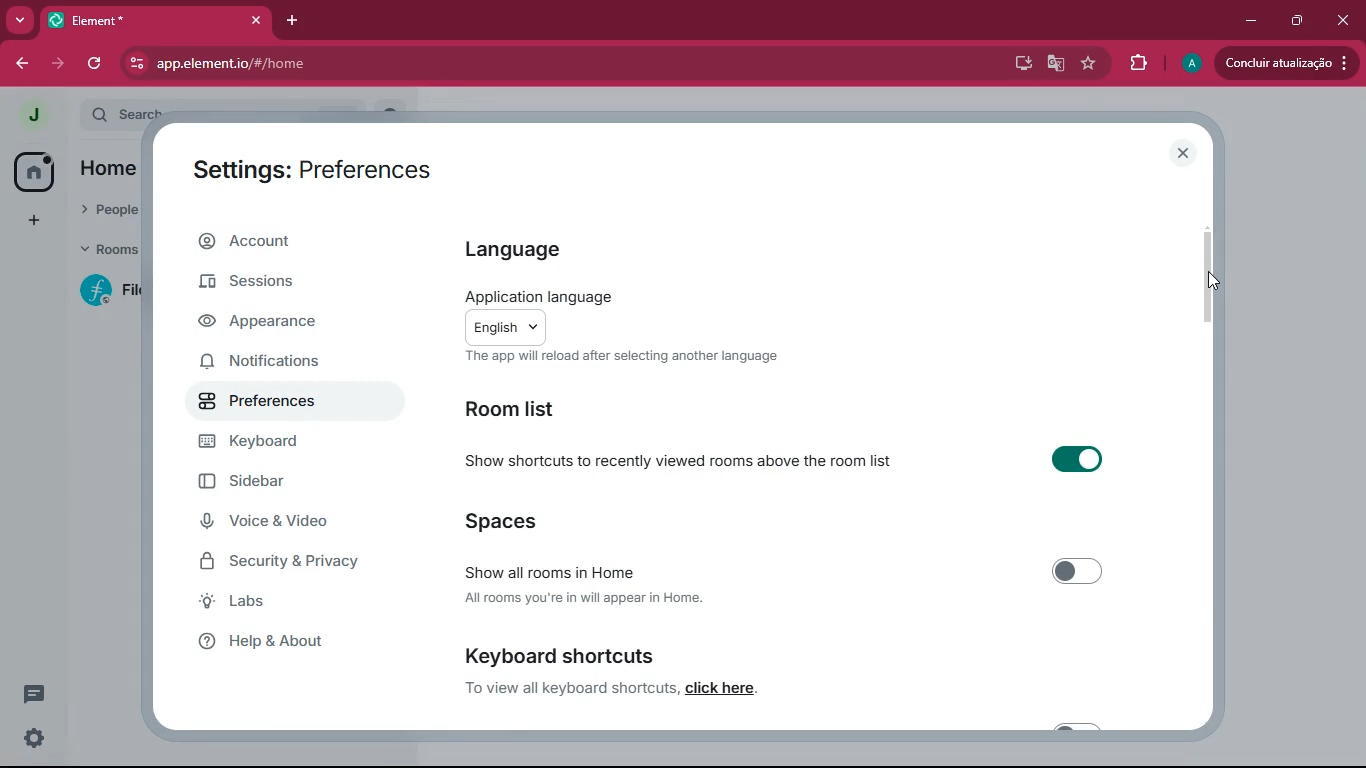  What do you see at coordinates (61, 64) in the screenshot?
I see `forward` at bounding box center [61, 64].